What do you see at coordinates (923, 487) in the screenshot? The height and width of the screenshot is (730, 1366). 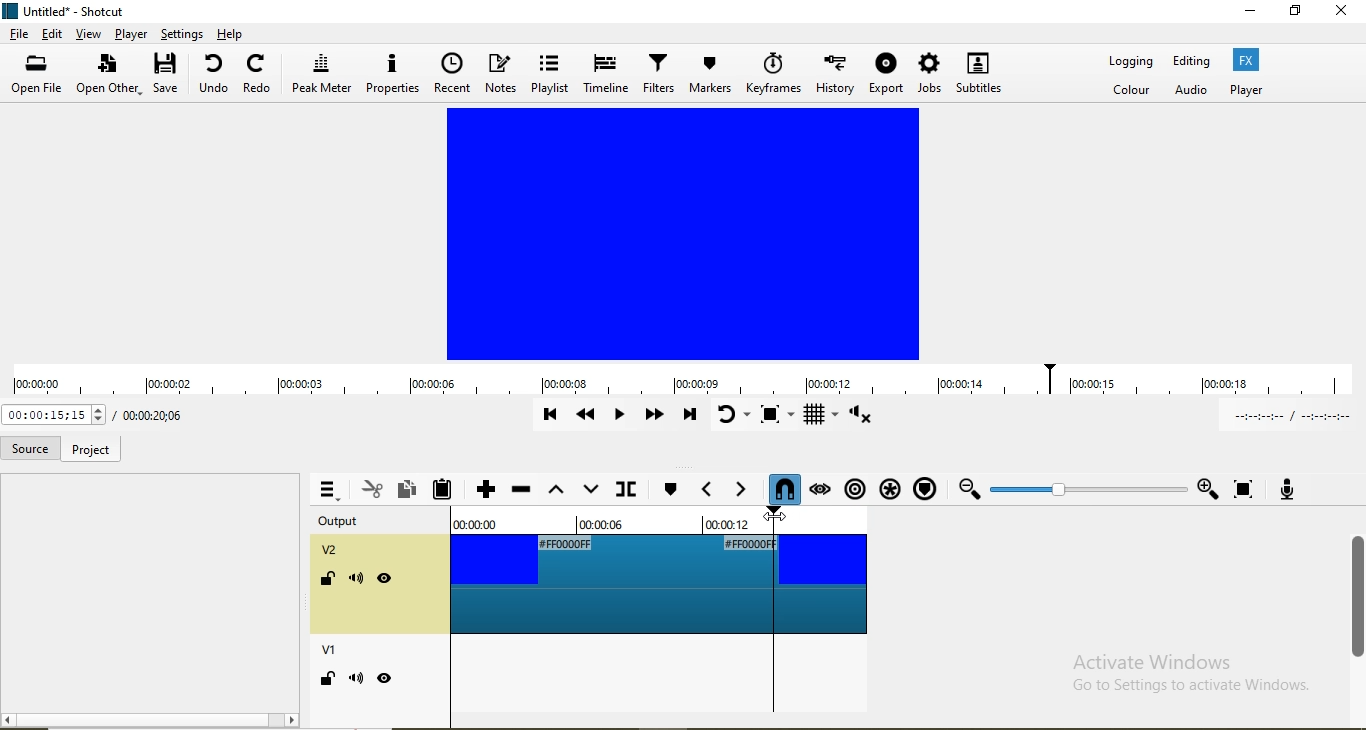 I see `Ripple markers` at bounding box center [923, 487].